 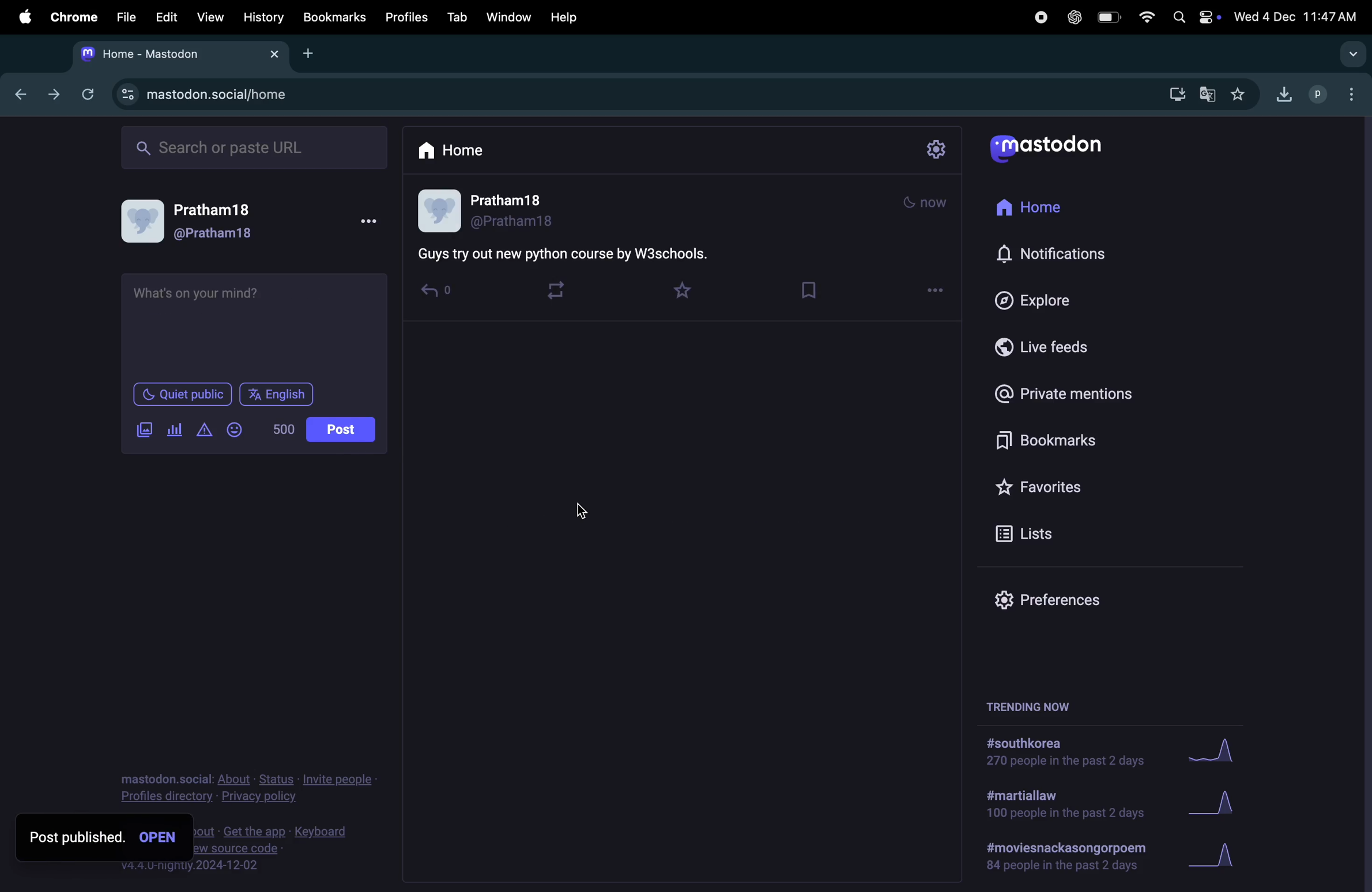 I want to click on profile chrome, so click(x=1337, y=93).